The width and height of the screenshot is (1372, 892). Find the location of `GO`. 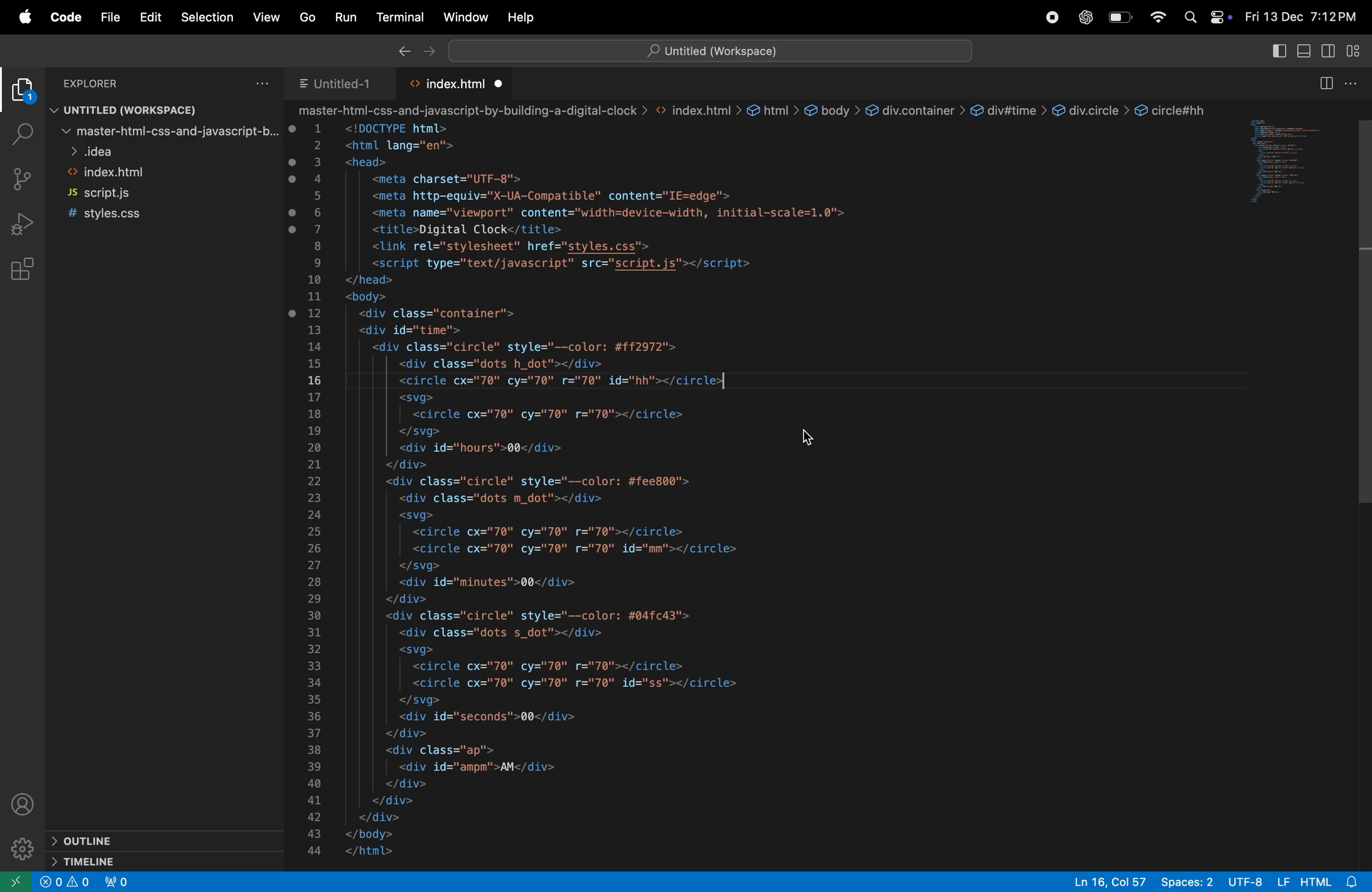

GO is located at coordinates (307, 16).